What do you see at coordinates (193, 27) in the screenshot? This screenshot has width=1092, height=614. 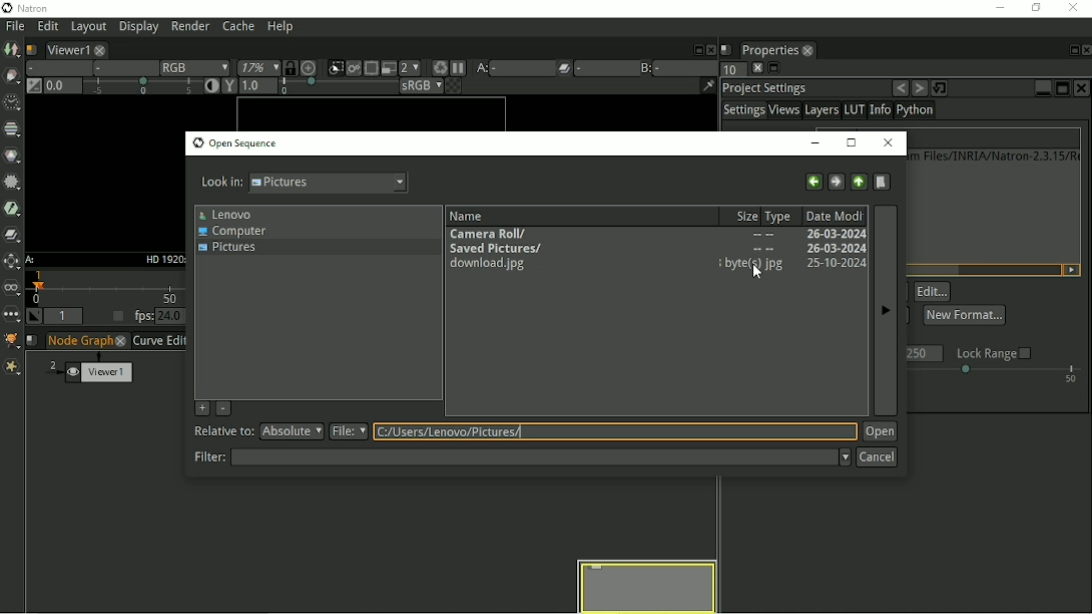 I see `Render` at bounding box center [193, 27].